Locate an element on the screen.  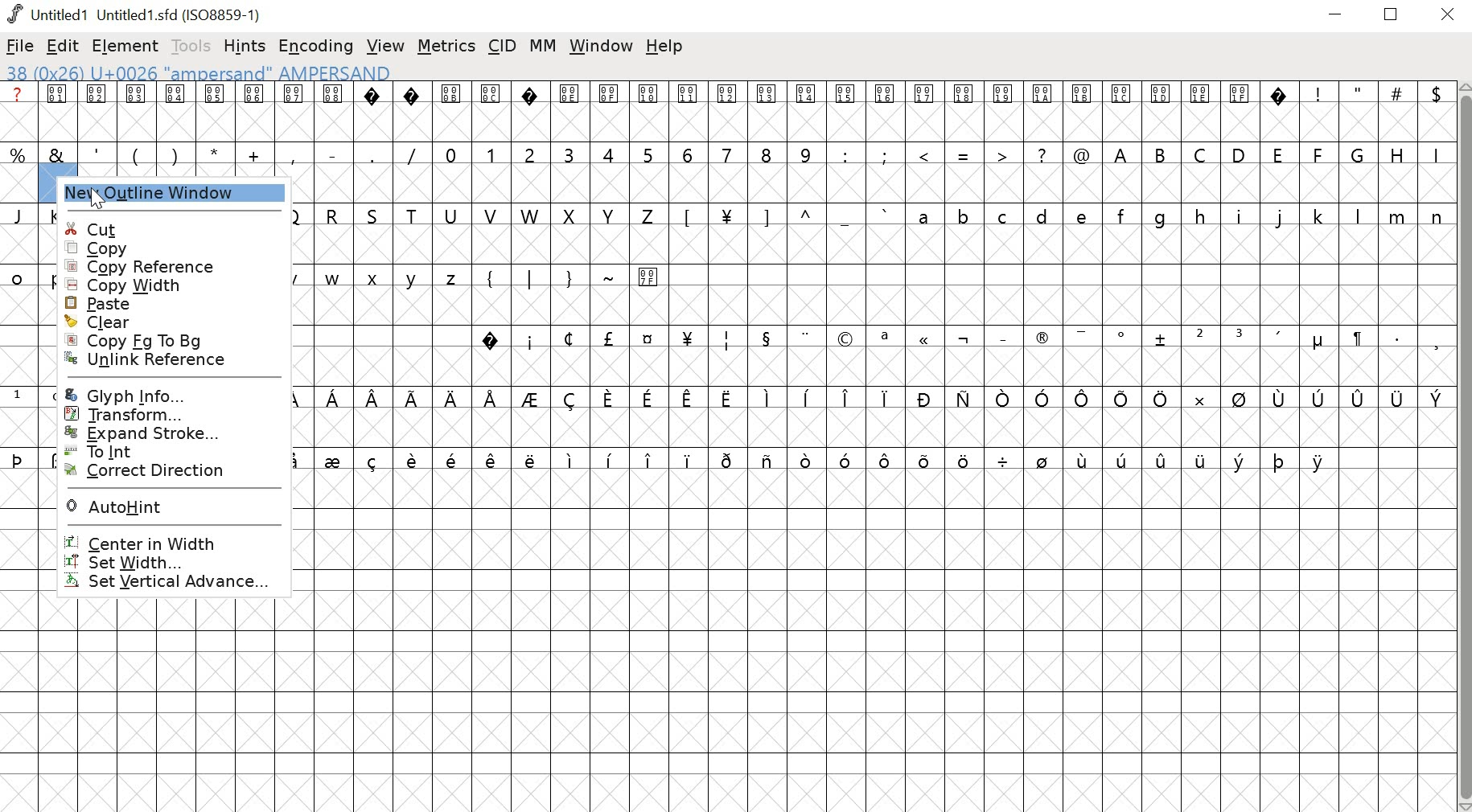
? is located at coordinates (530, 112).